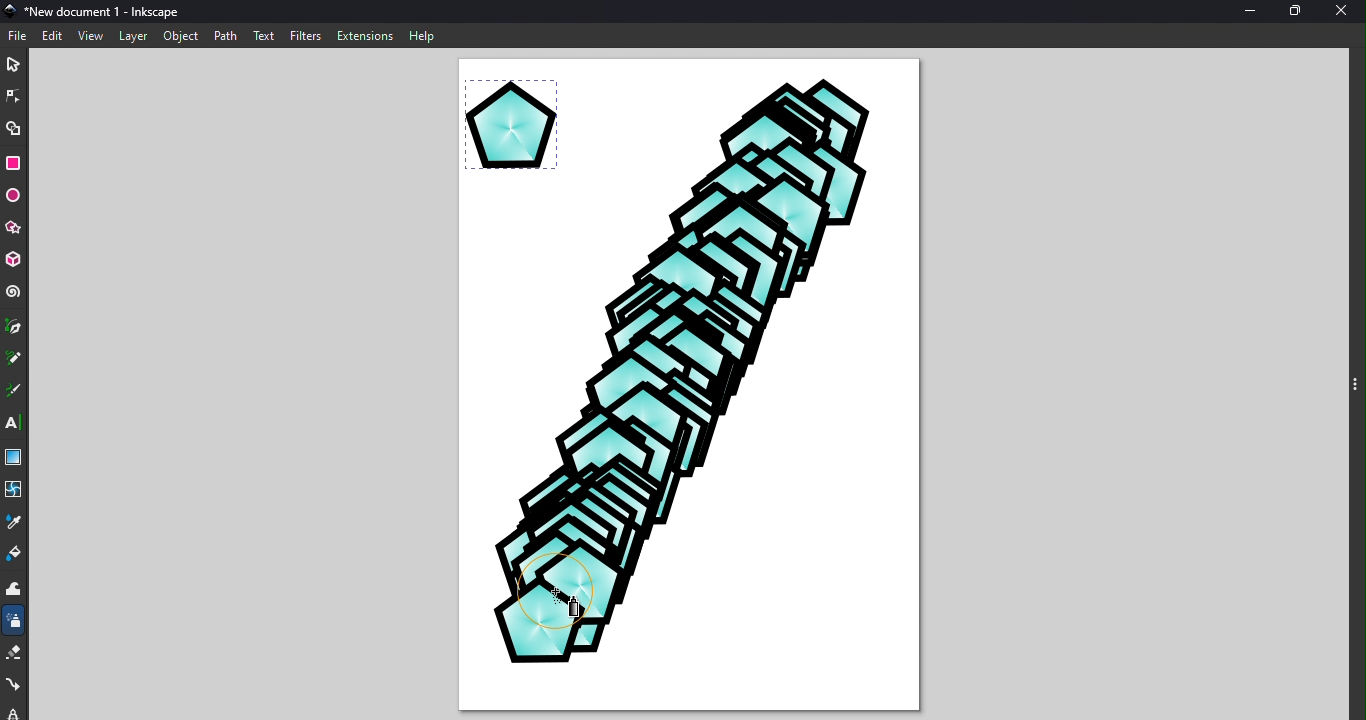  What do you see at coordinates (17, 521) in the screenshot?
I see `Dropper tool` at bounding box center [17, 521].